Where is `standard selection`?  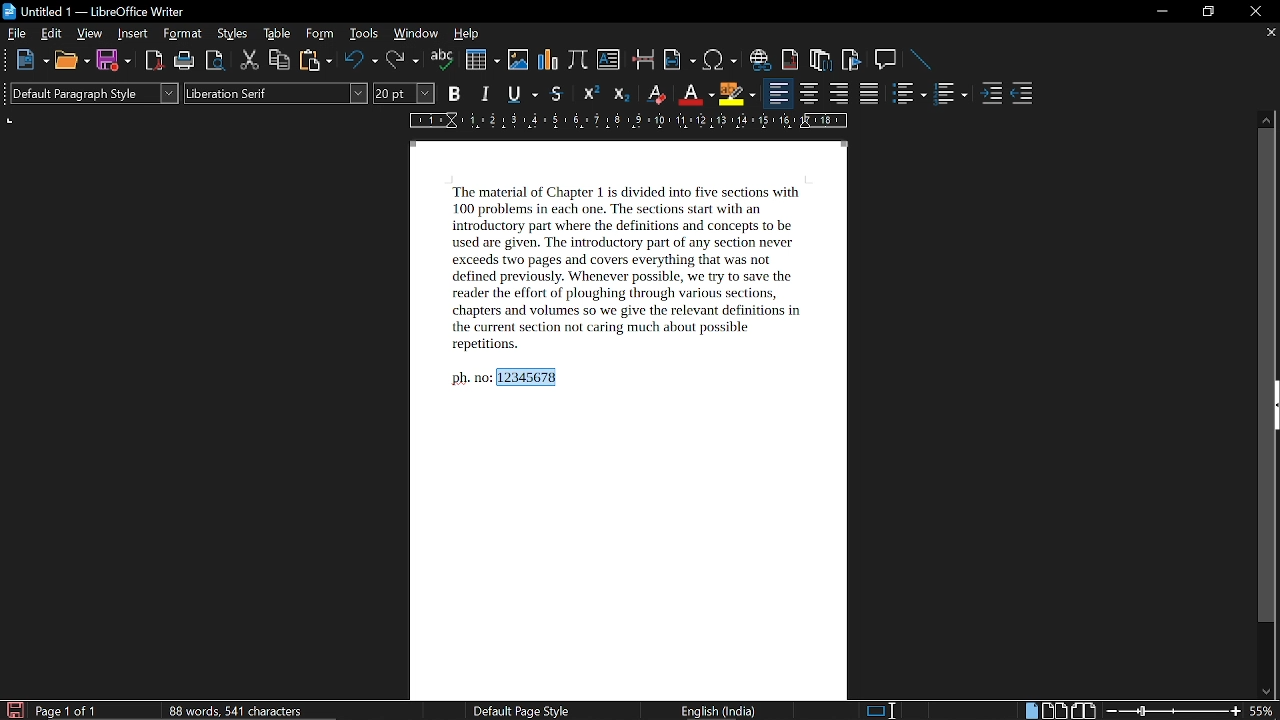 standard selection is located at coordinates (880, 709).